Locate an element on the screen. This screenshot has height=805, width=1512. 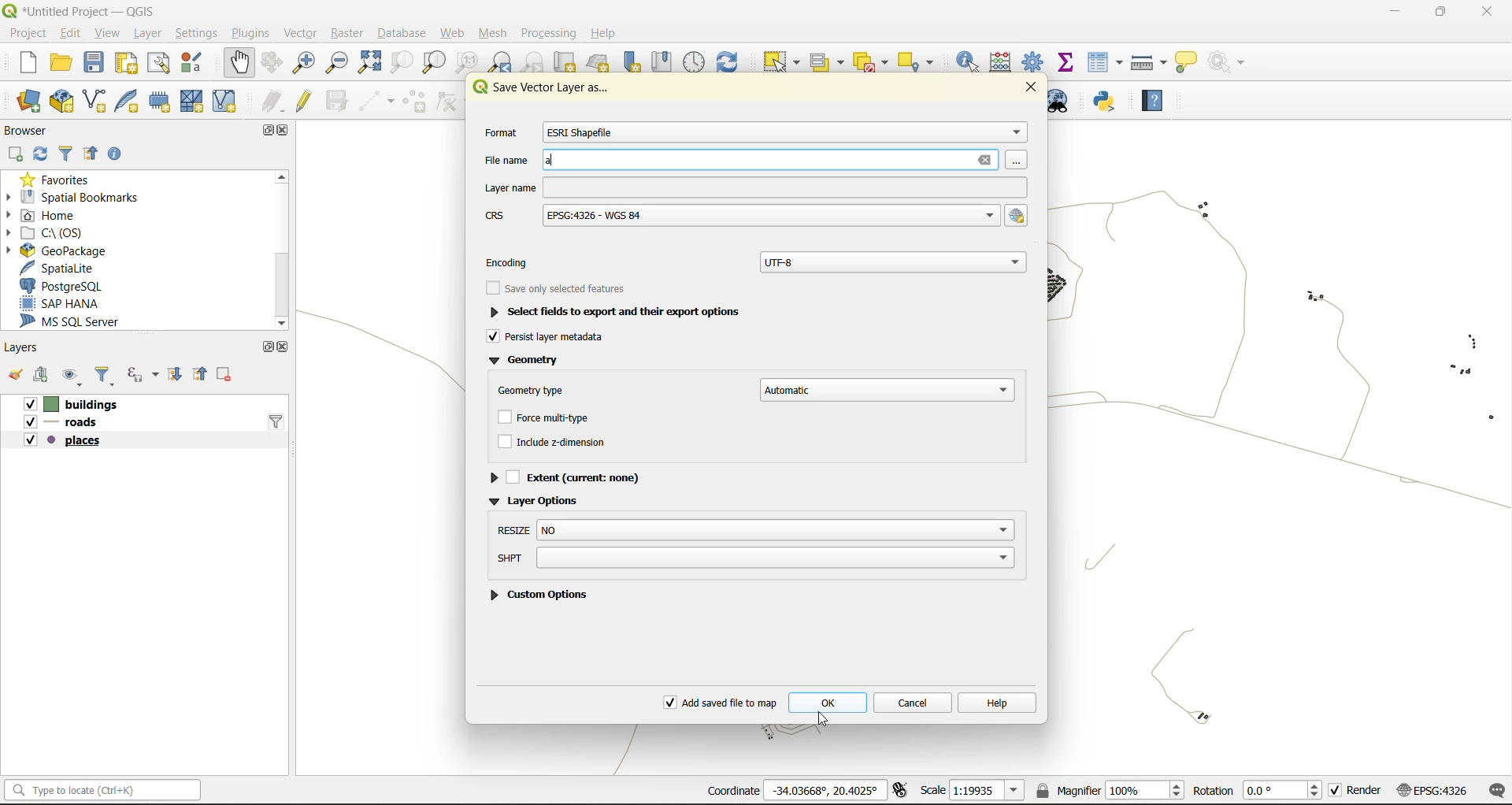
new shapefile is located at coordinates (95, 99).